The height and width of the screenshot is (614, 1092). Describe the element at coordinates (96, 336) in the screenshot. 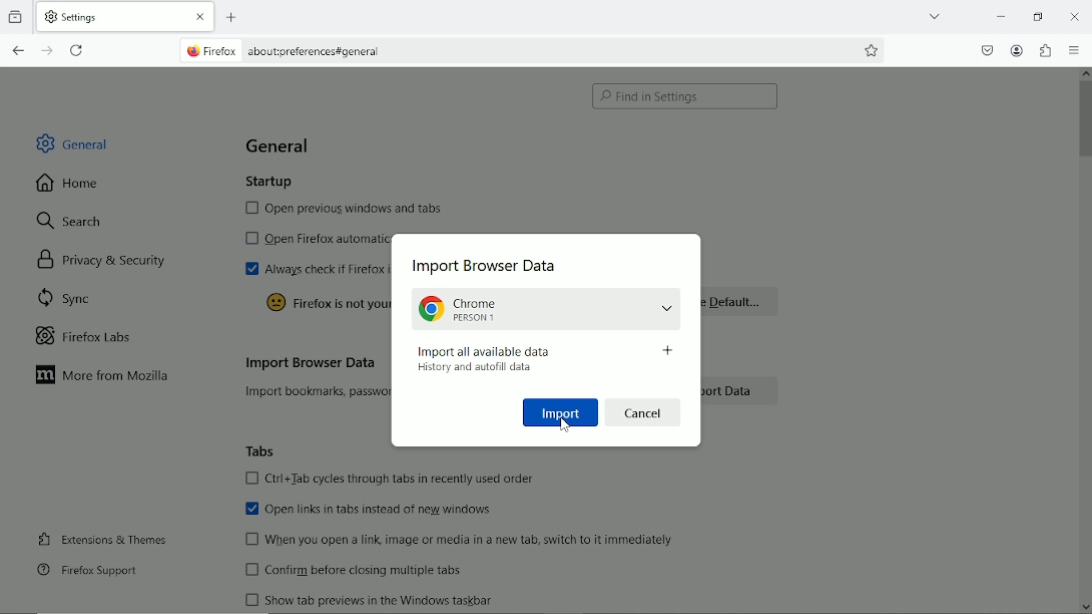

I see `Firefox labs` at that location.